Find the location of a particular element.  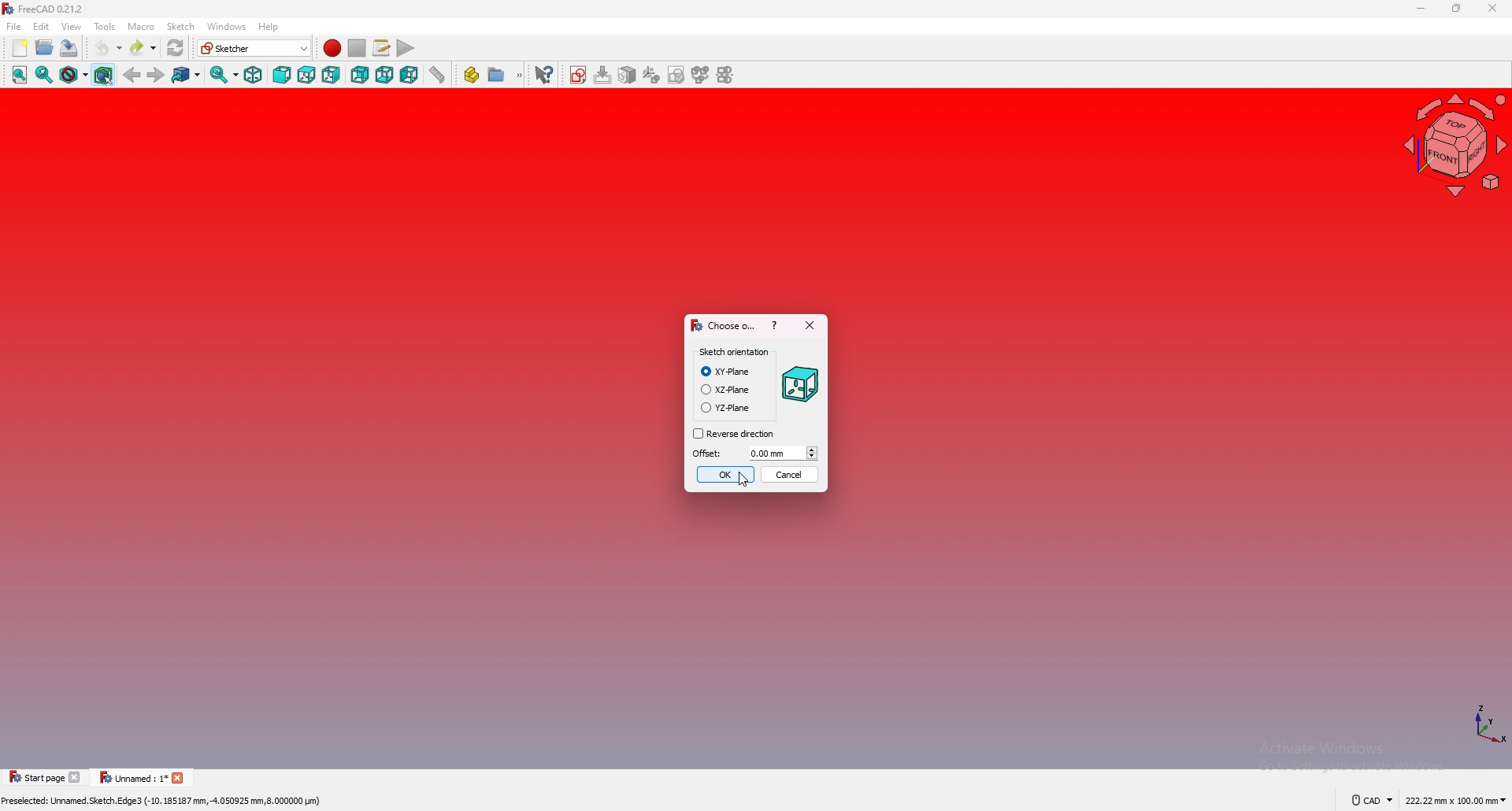

windows is located at coordinates (226, 26).